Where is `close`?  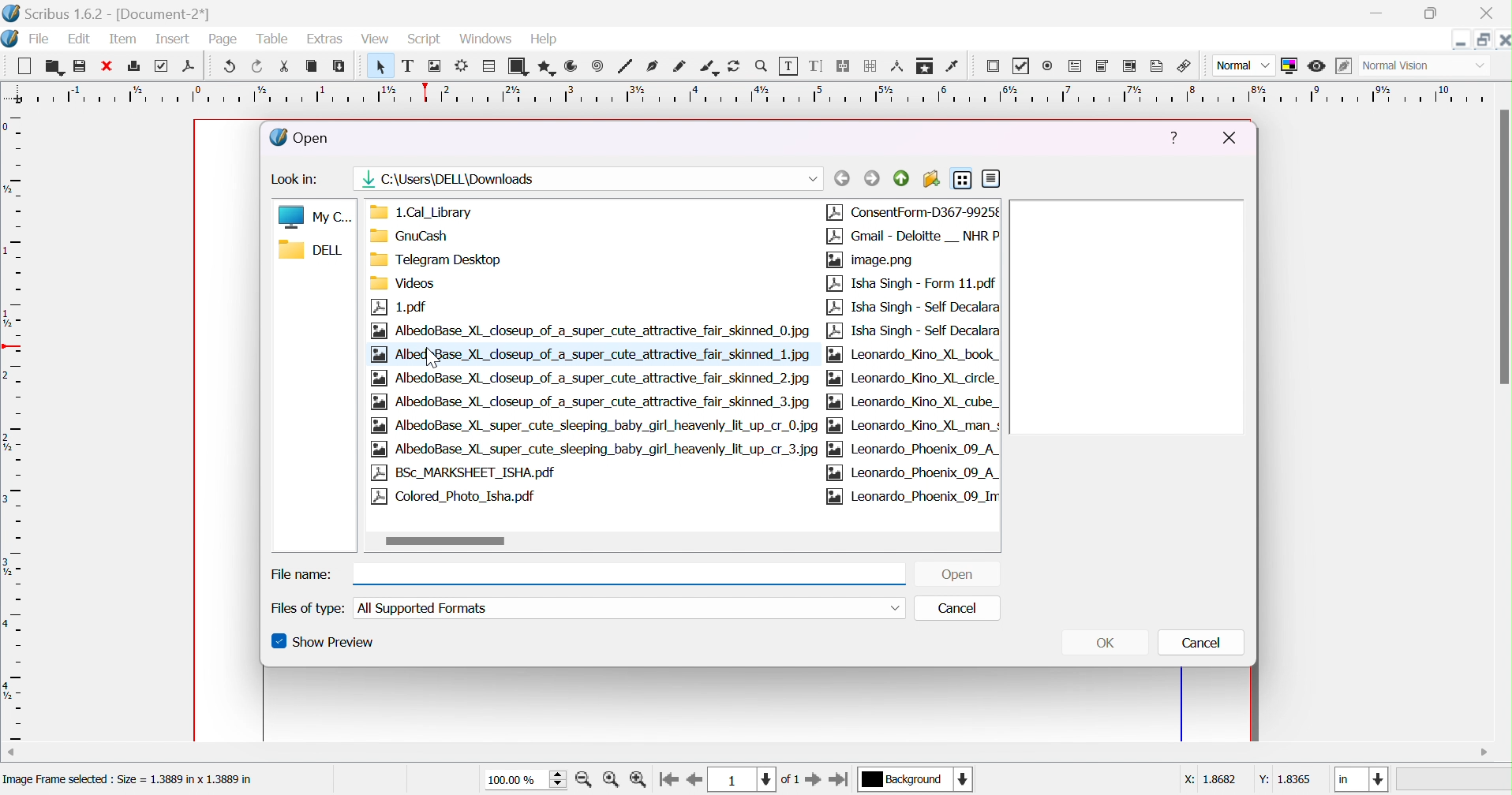
close is located at coordinates (1230, 137).